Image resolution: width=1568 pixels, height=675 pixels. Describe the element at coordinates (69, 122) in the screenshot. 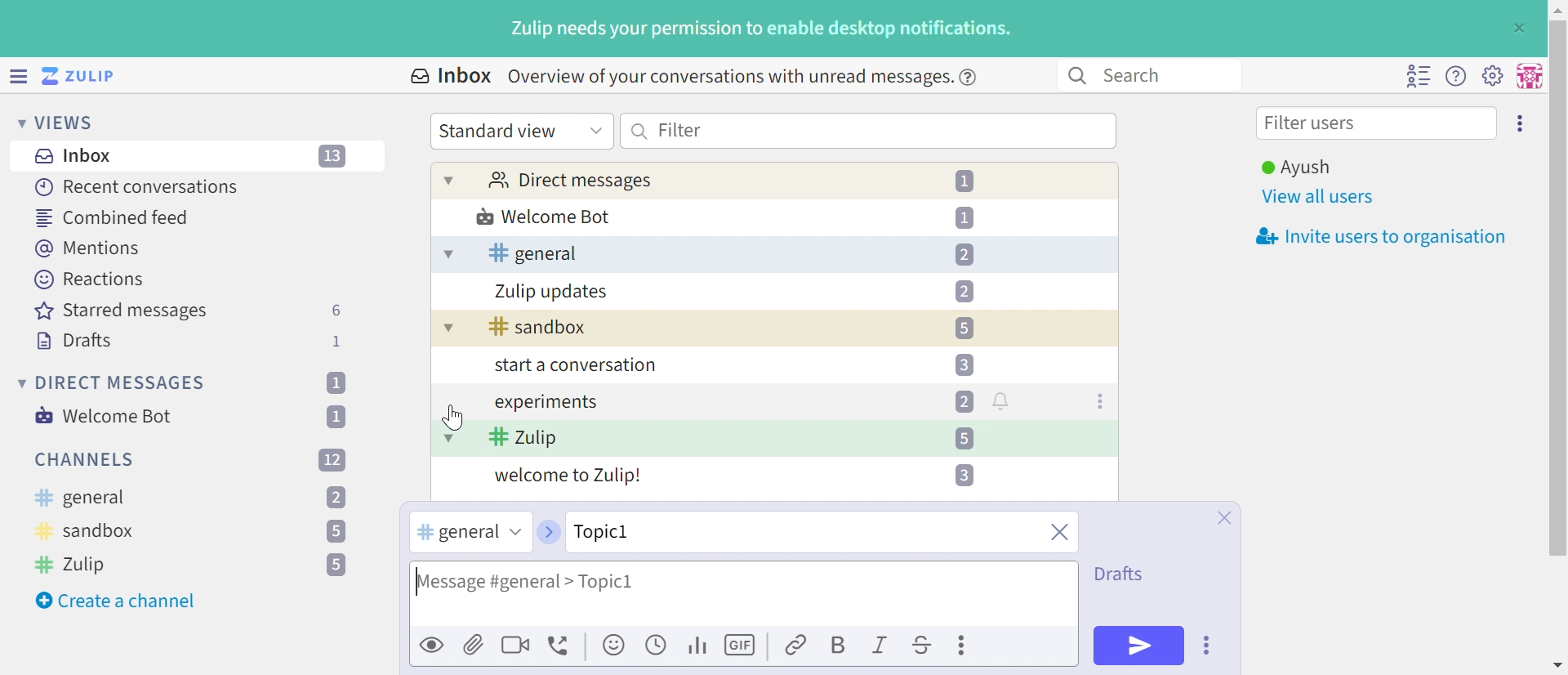

I see `VIEWS` at that location.